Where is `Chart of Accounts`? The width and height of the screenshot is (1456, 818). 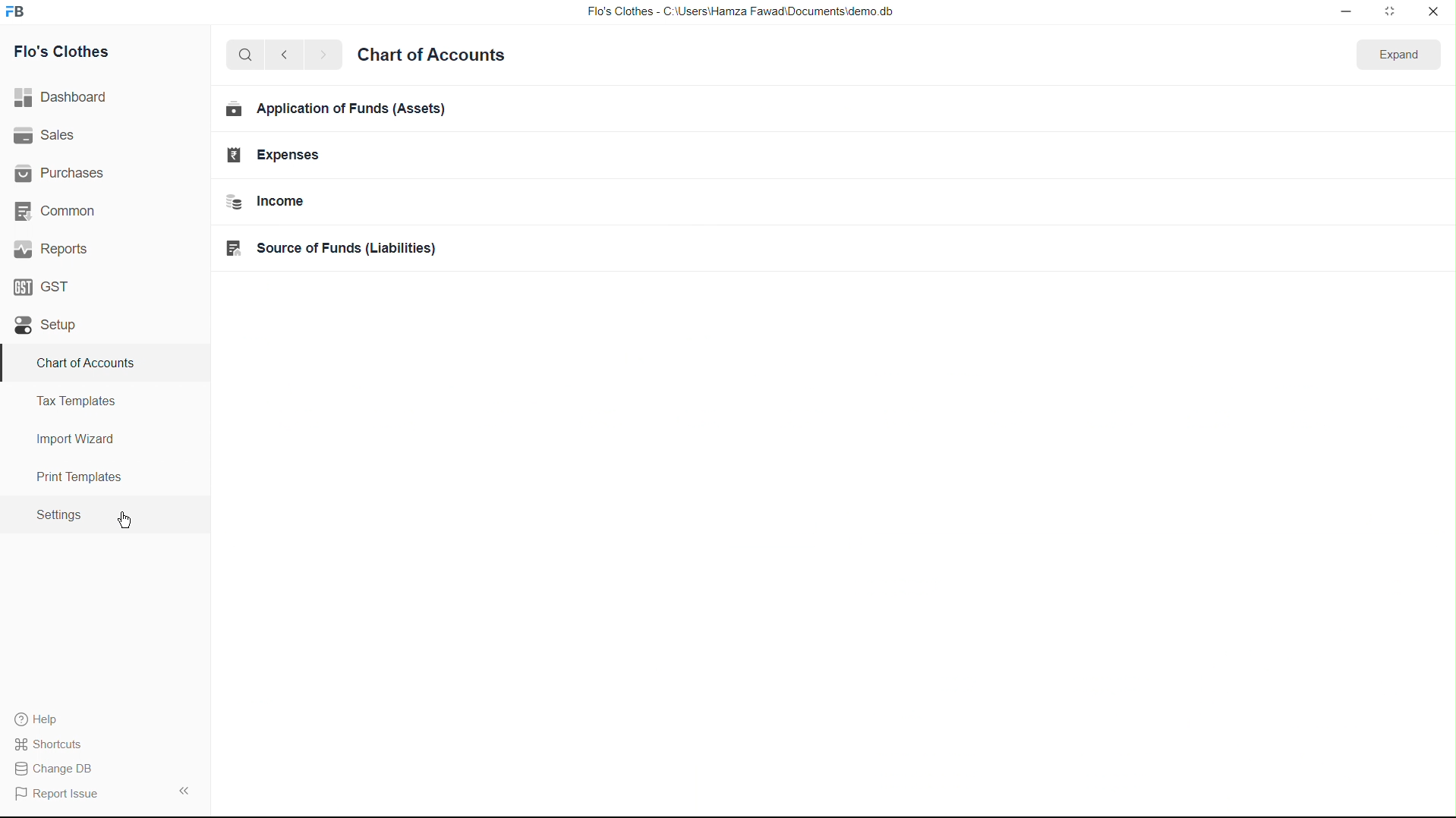 Chart of Accounts is located at coordinates (81, 363).